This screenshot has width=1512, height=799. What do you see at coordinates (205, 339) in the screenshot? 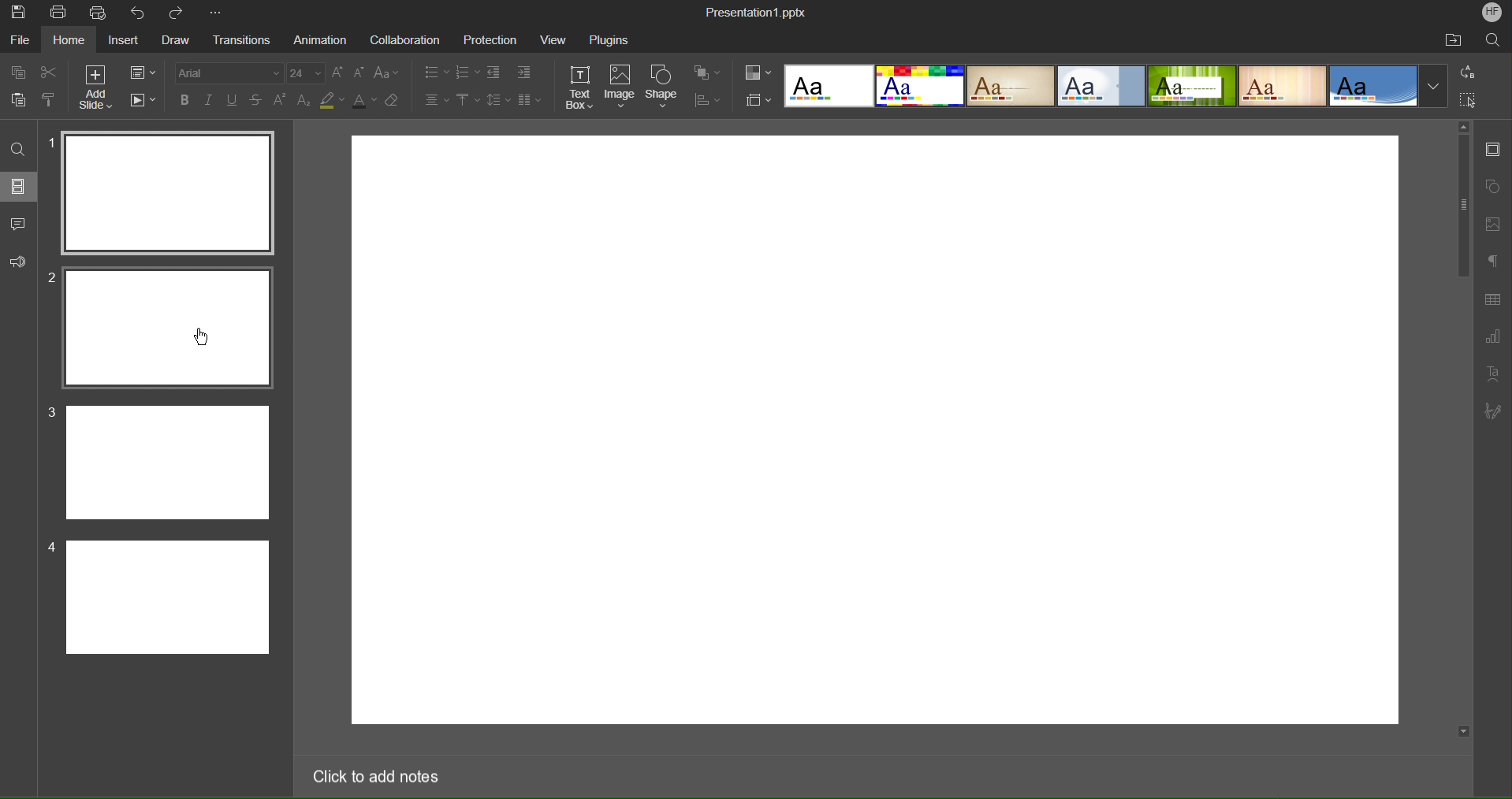
I see `Cursor` at bounding box center [205, 339].